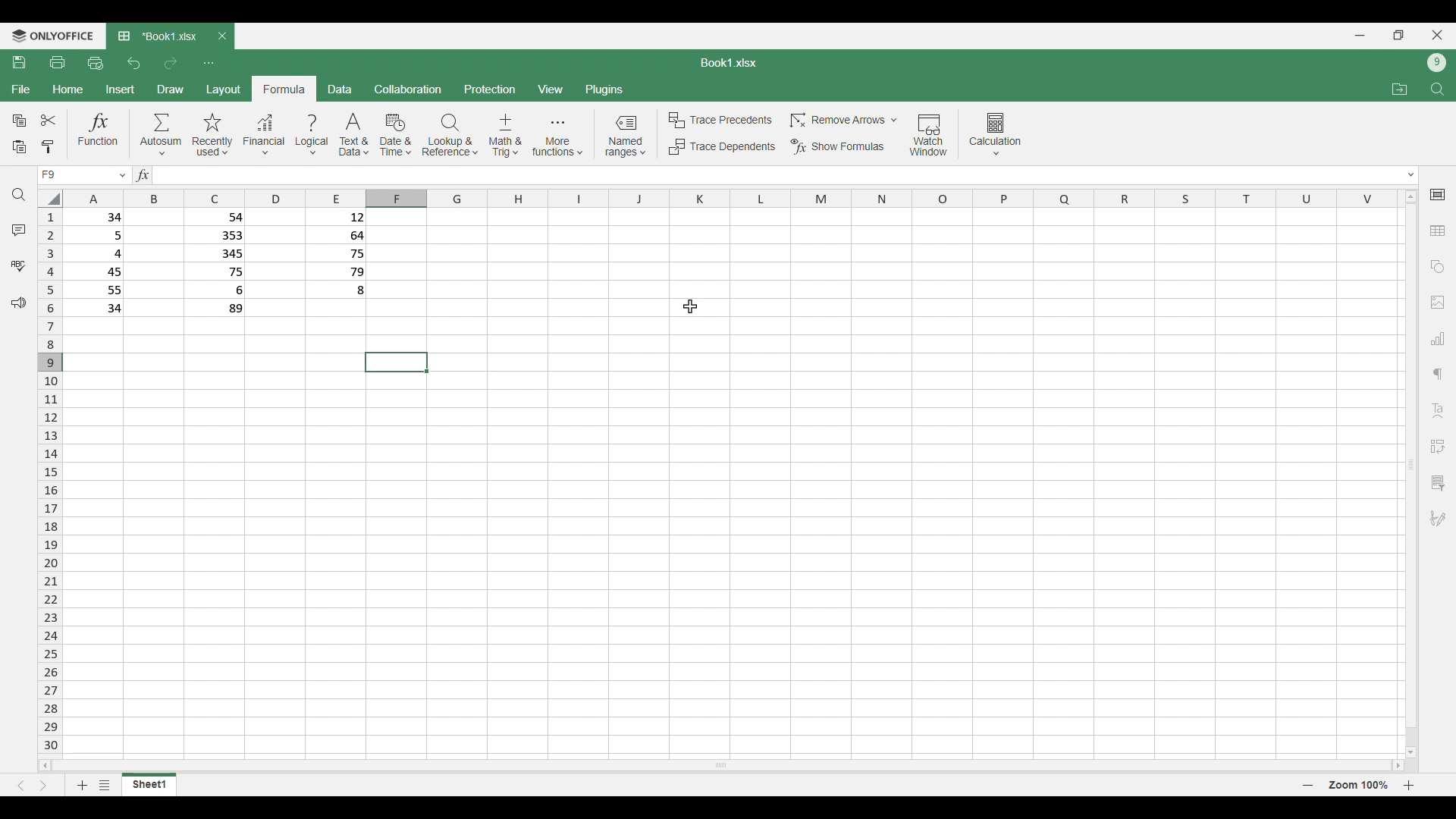 The height and width of the screenshot is (819, 1456). I want to click on Funtion, so click(99, 133).